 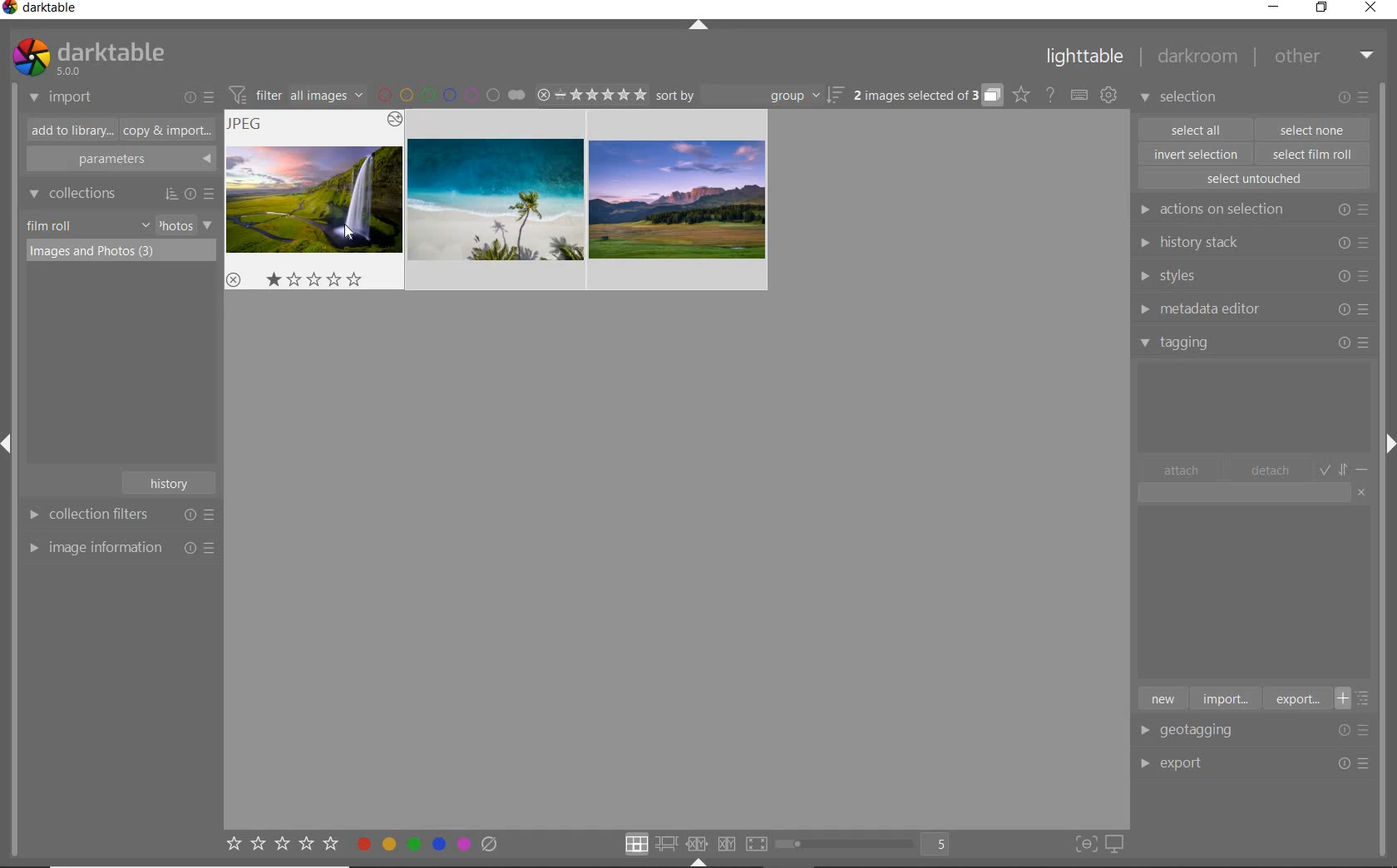 I want to click on Expand, so click(x=13, y=447).